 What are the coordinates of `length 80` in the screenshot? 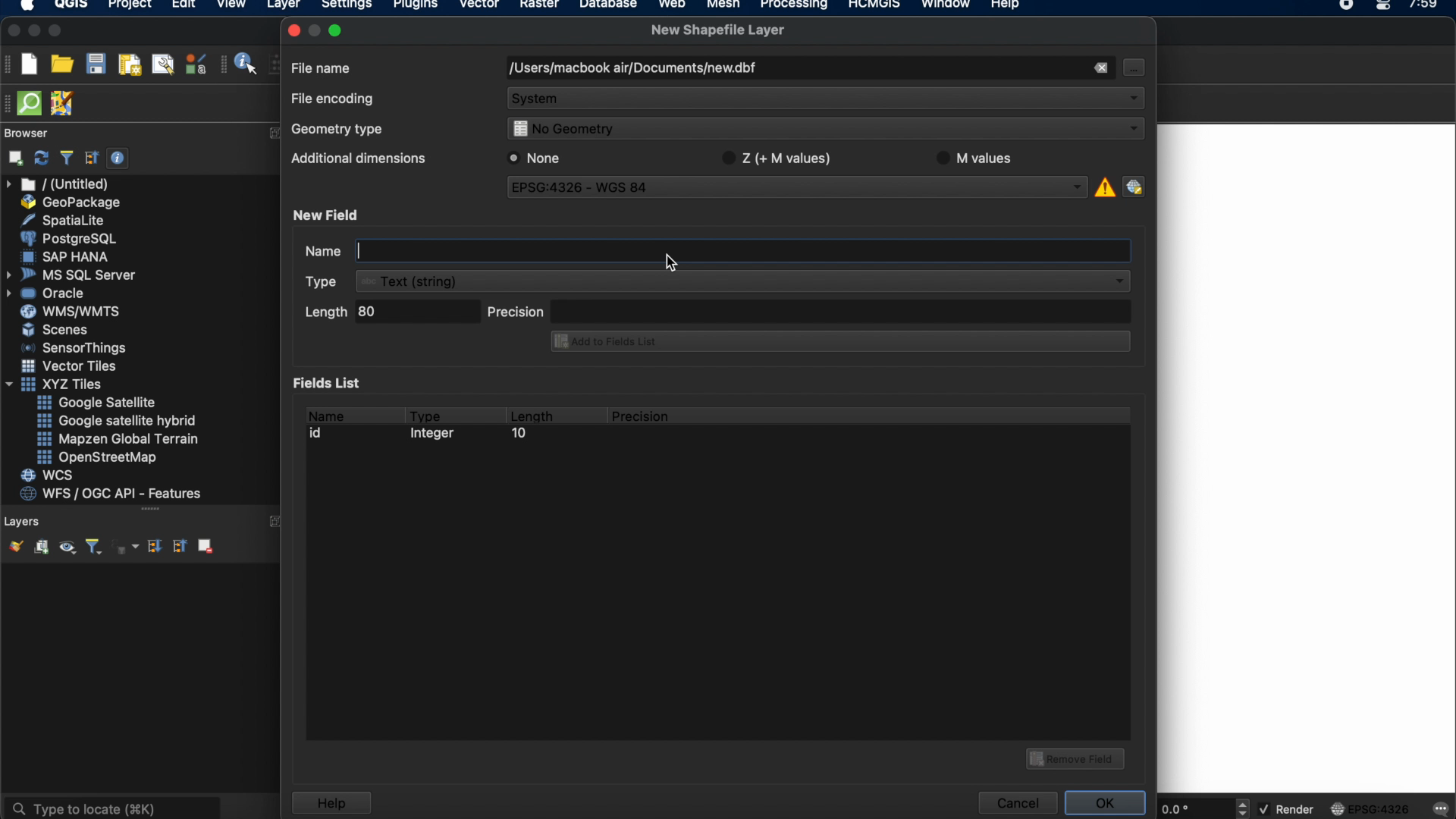 It's located at (389, 314).